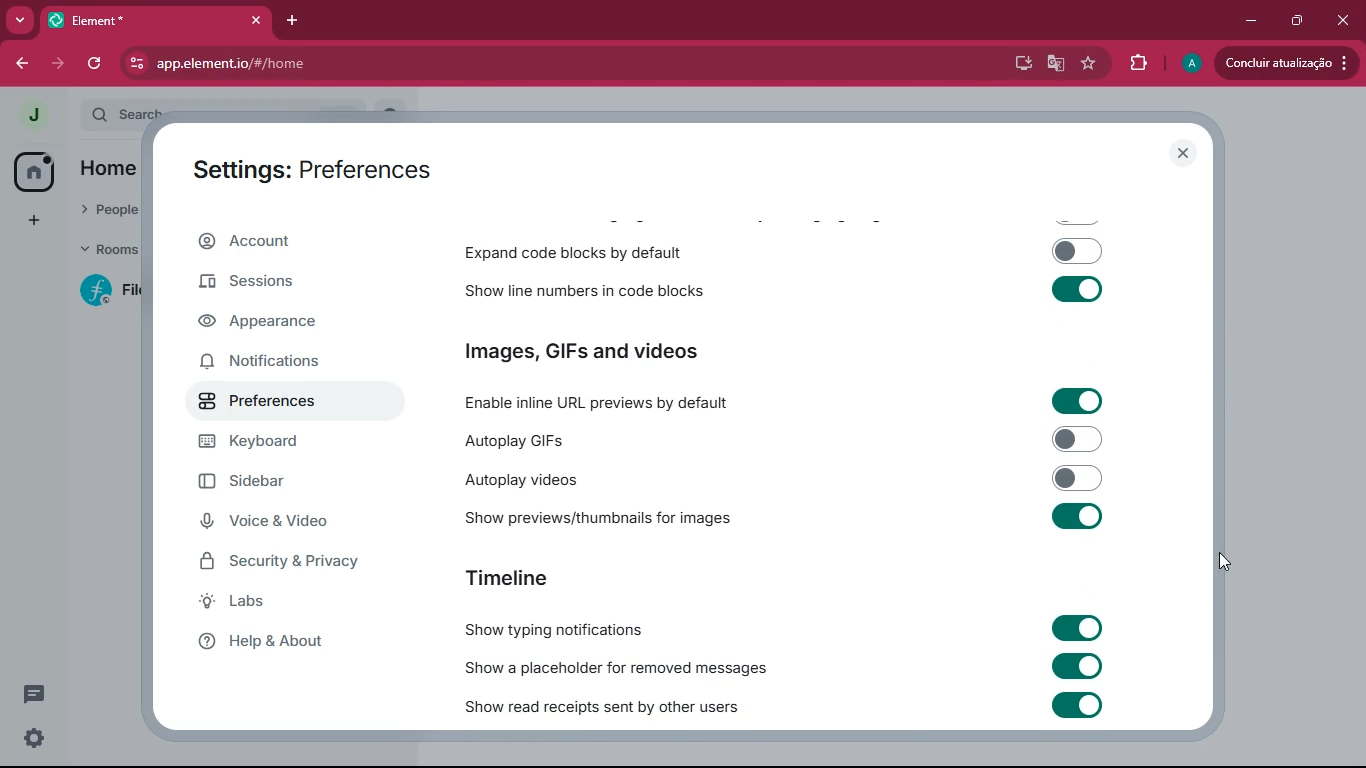  Describe the element at coordinates (285, 565) in the screenshot. I see `security & privacy` at that location.